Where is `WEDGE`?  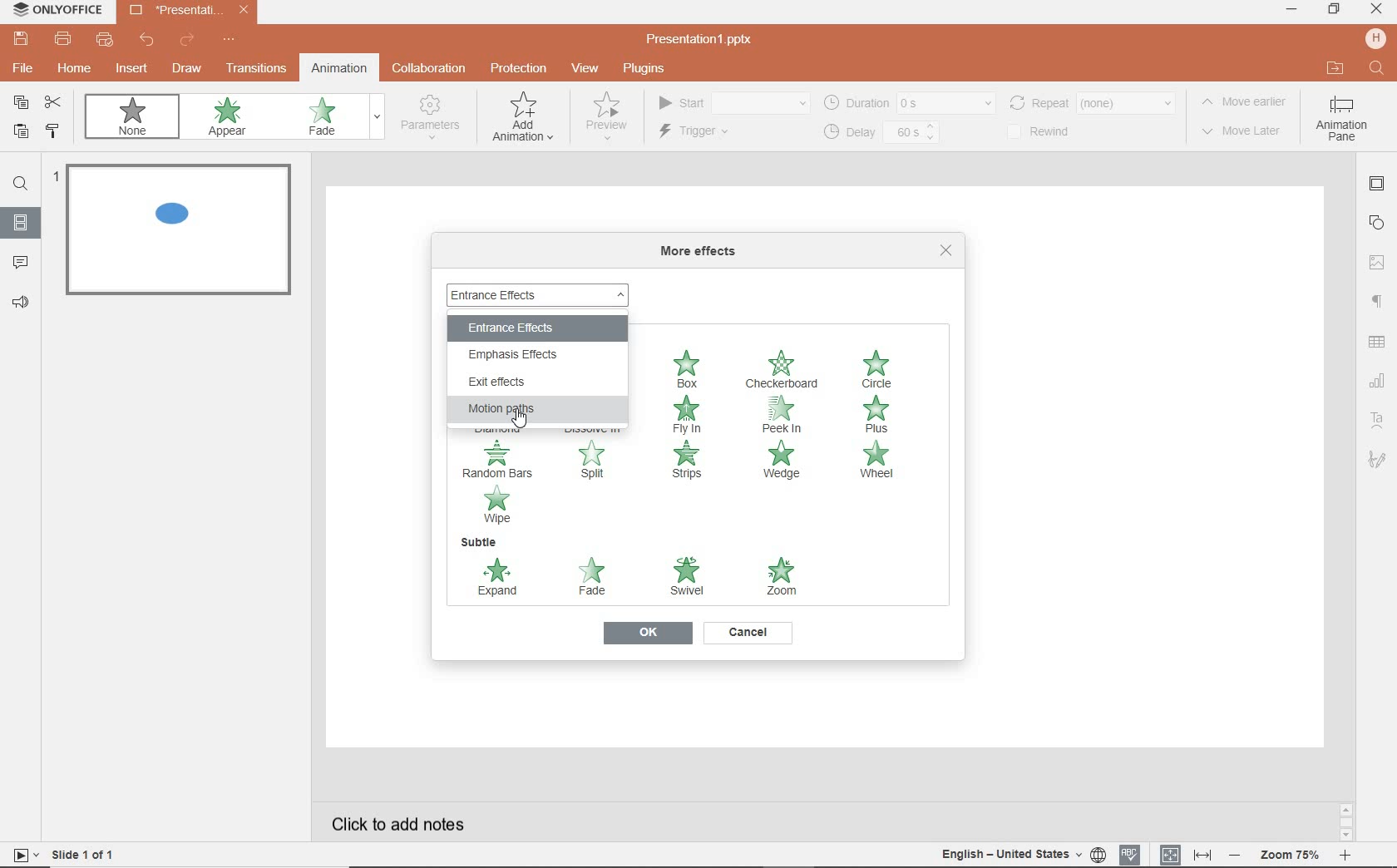
WEDGE is located at coordinates (783, 461).